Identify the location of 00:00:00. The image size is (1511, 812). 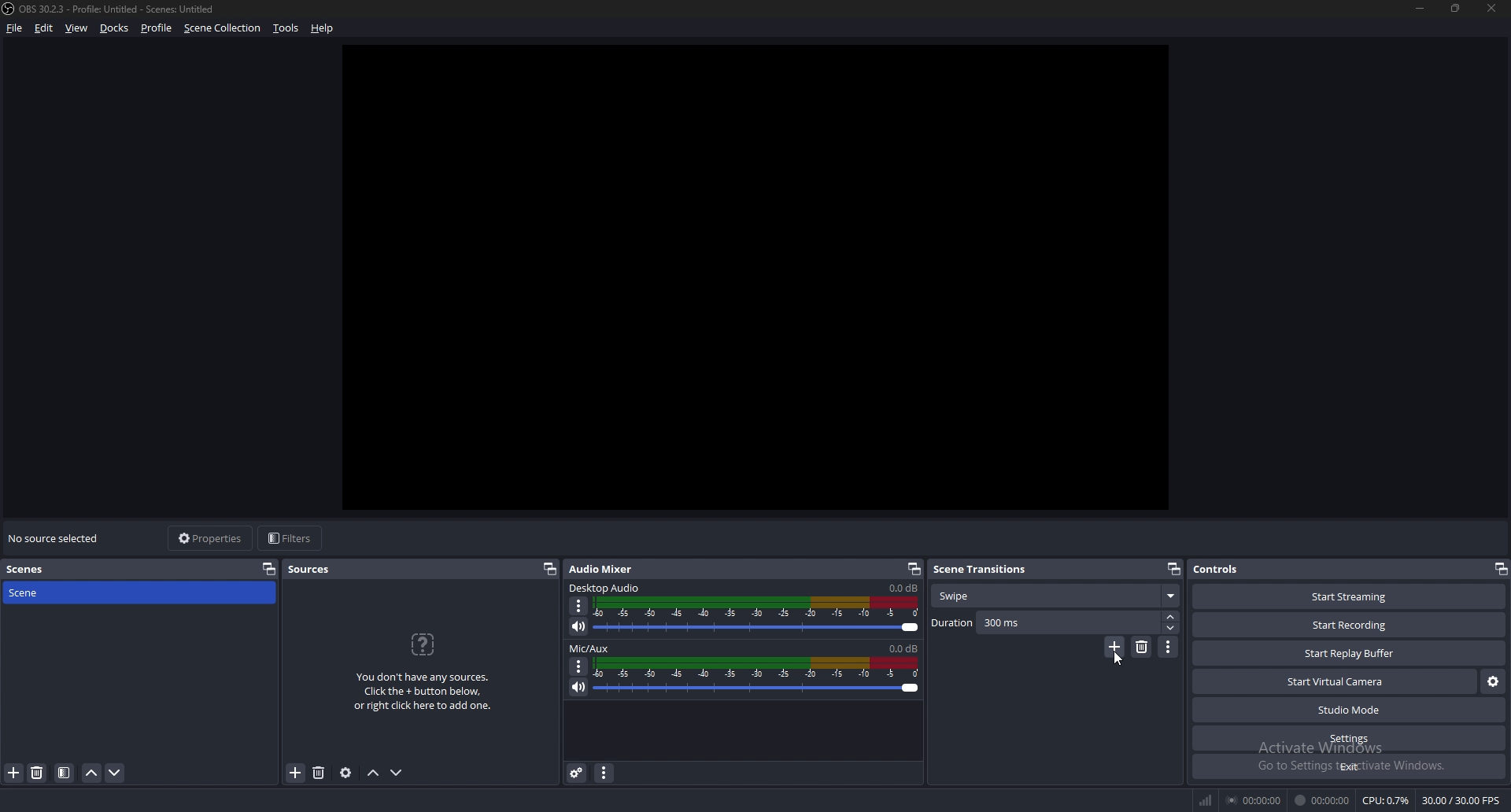
(1254, 801).